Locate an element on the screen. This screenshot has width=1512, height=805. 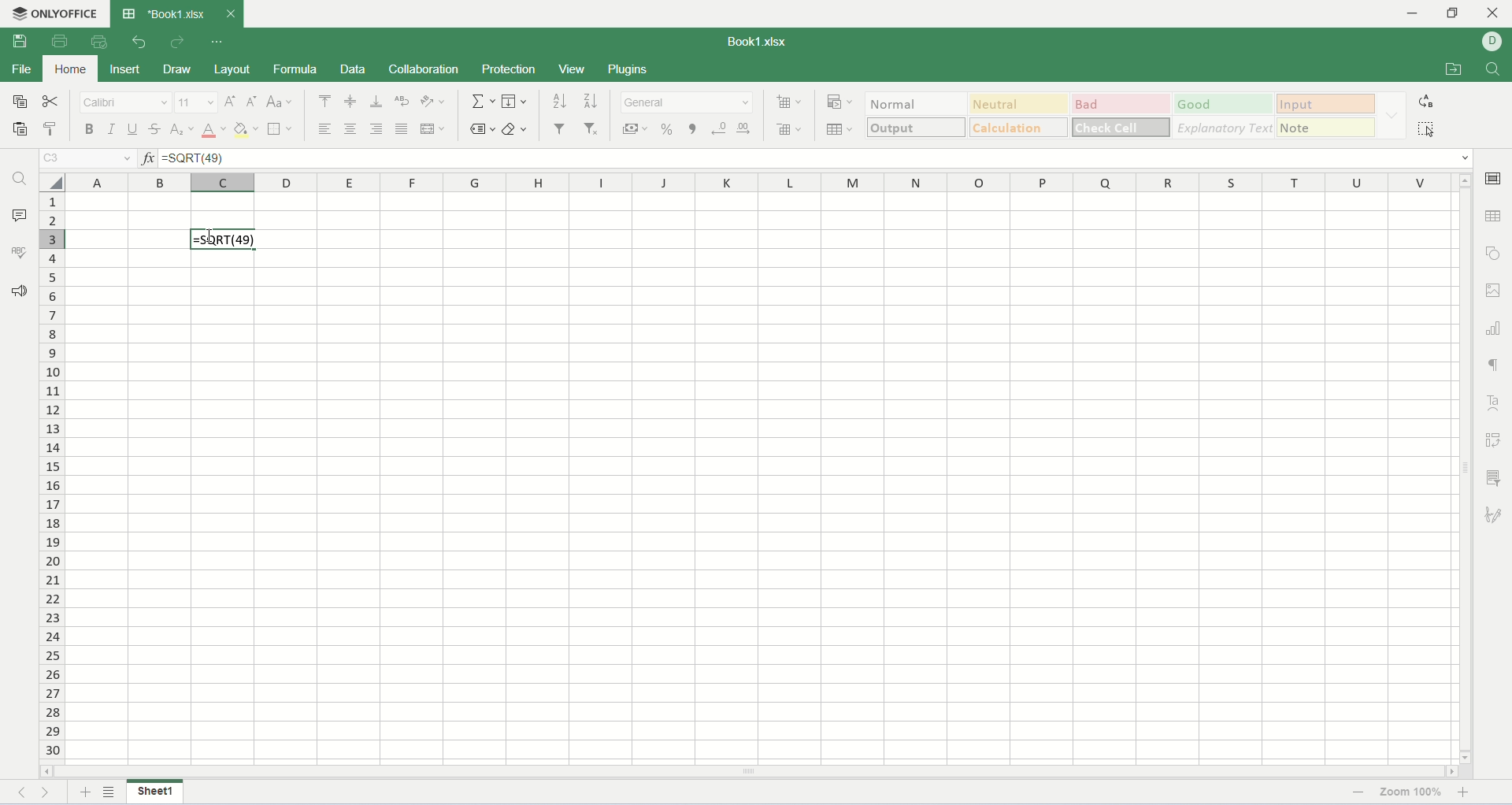
onlyoffice is located at coordinates (53, 11).